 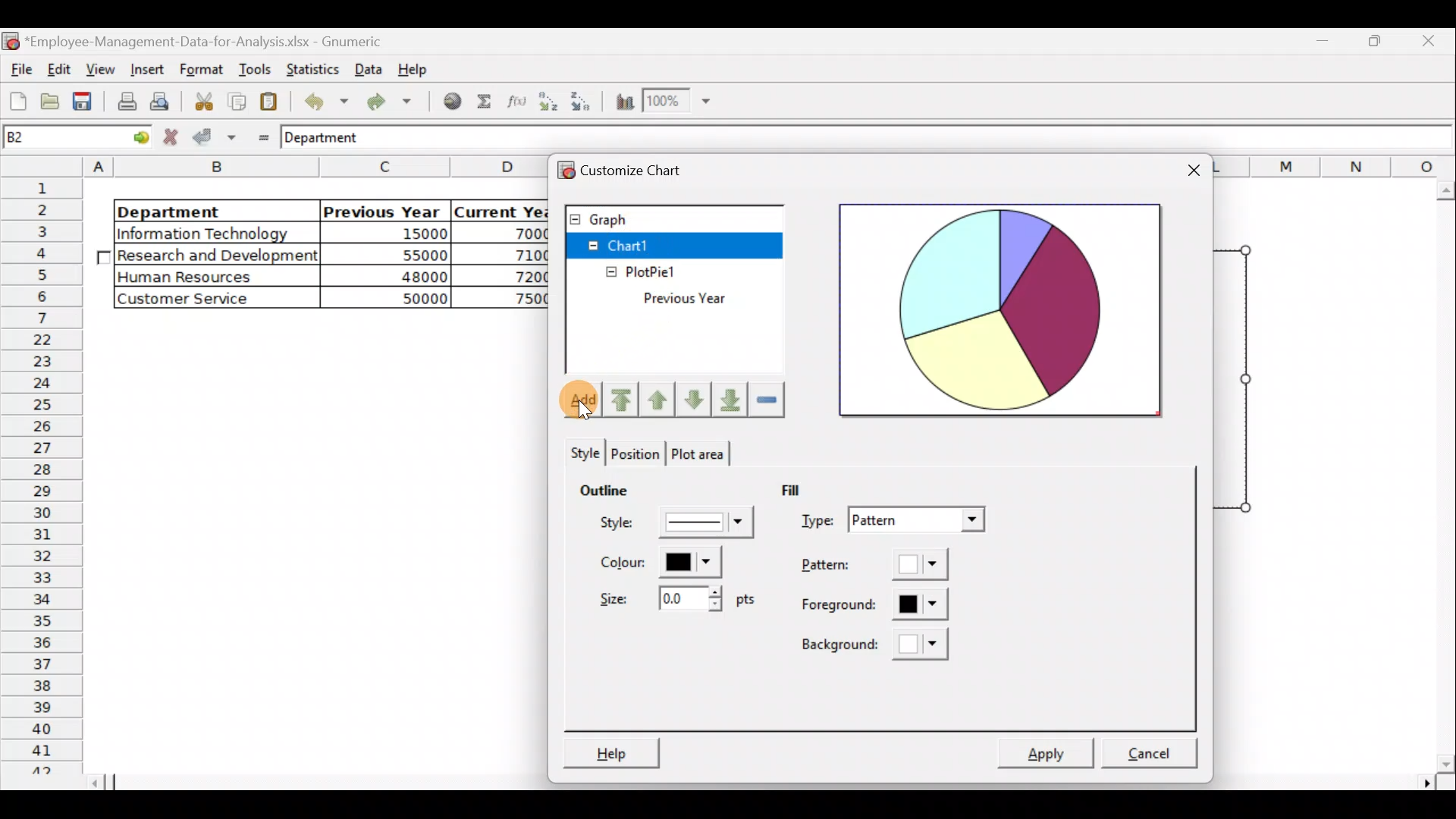 I want to click on Formula bar, so click(x=926, y=141).